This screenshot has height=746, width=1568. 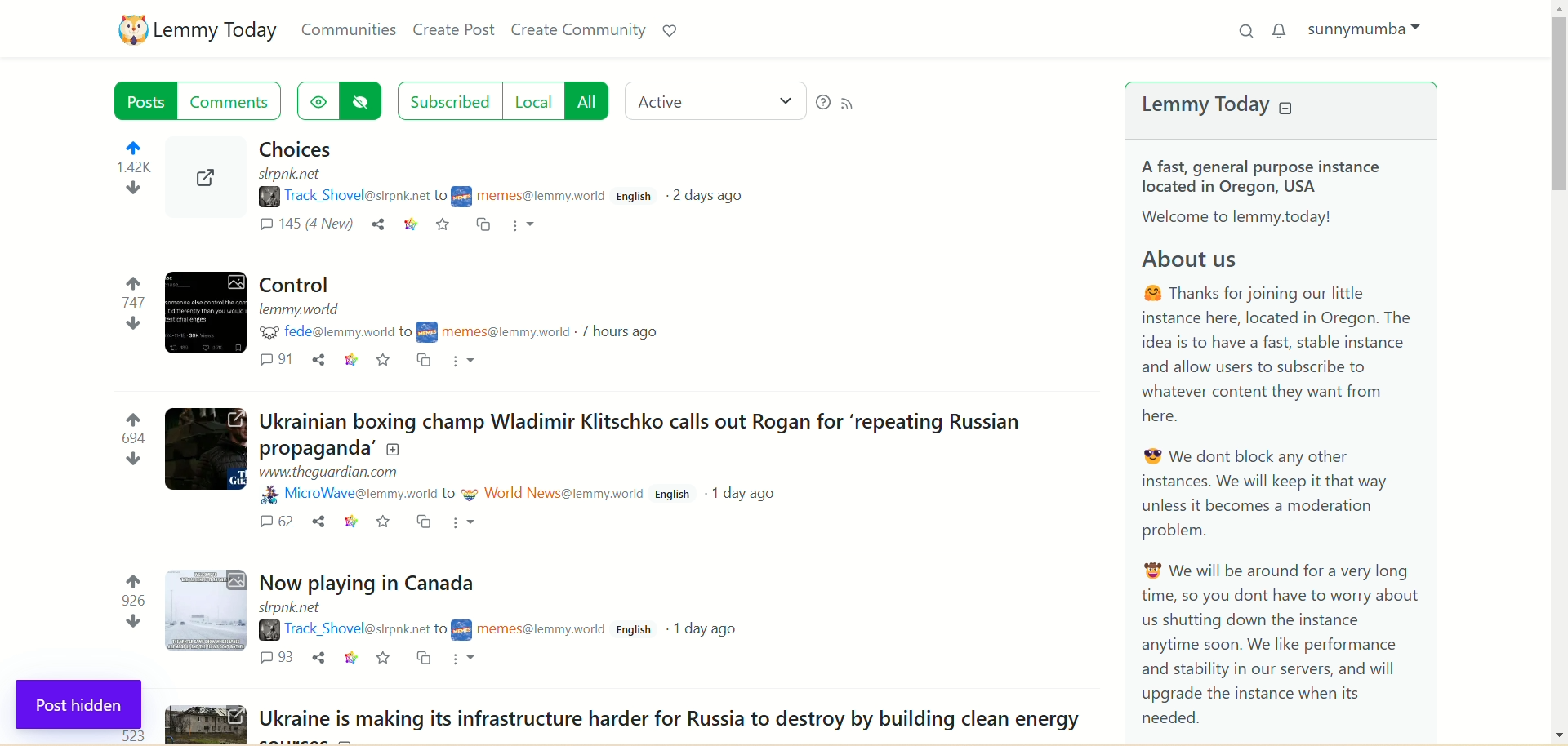 I want to click on local, so click(x=531, y=102).